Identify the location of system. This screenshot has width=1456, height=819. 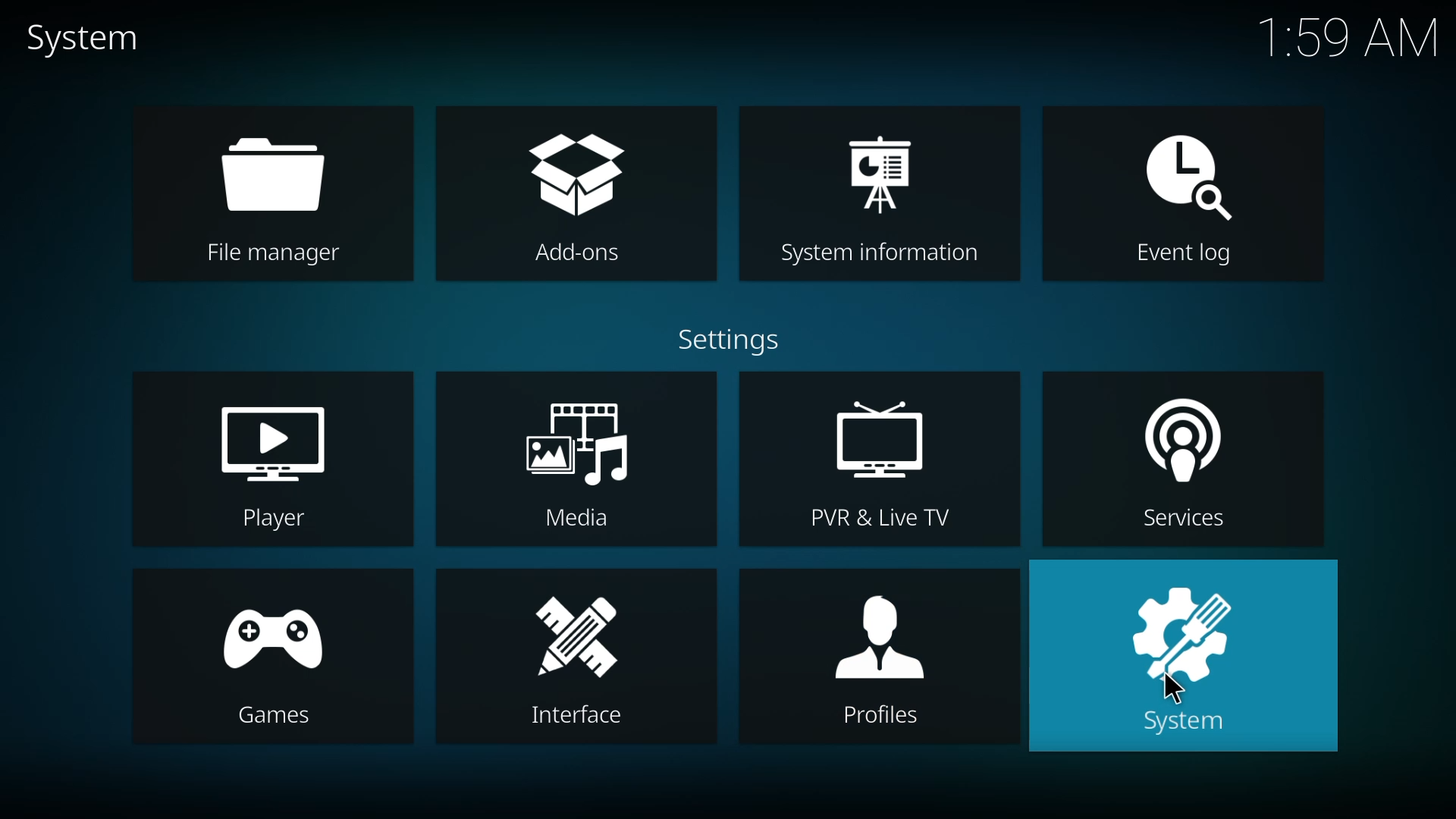
(1183, 660).